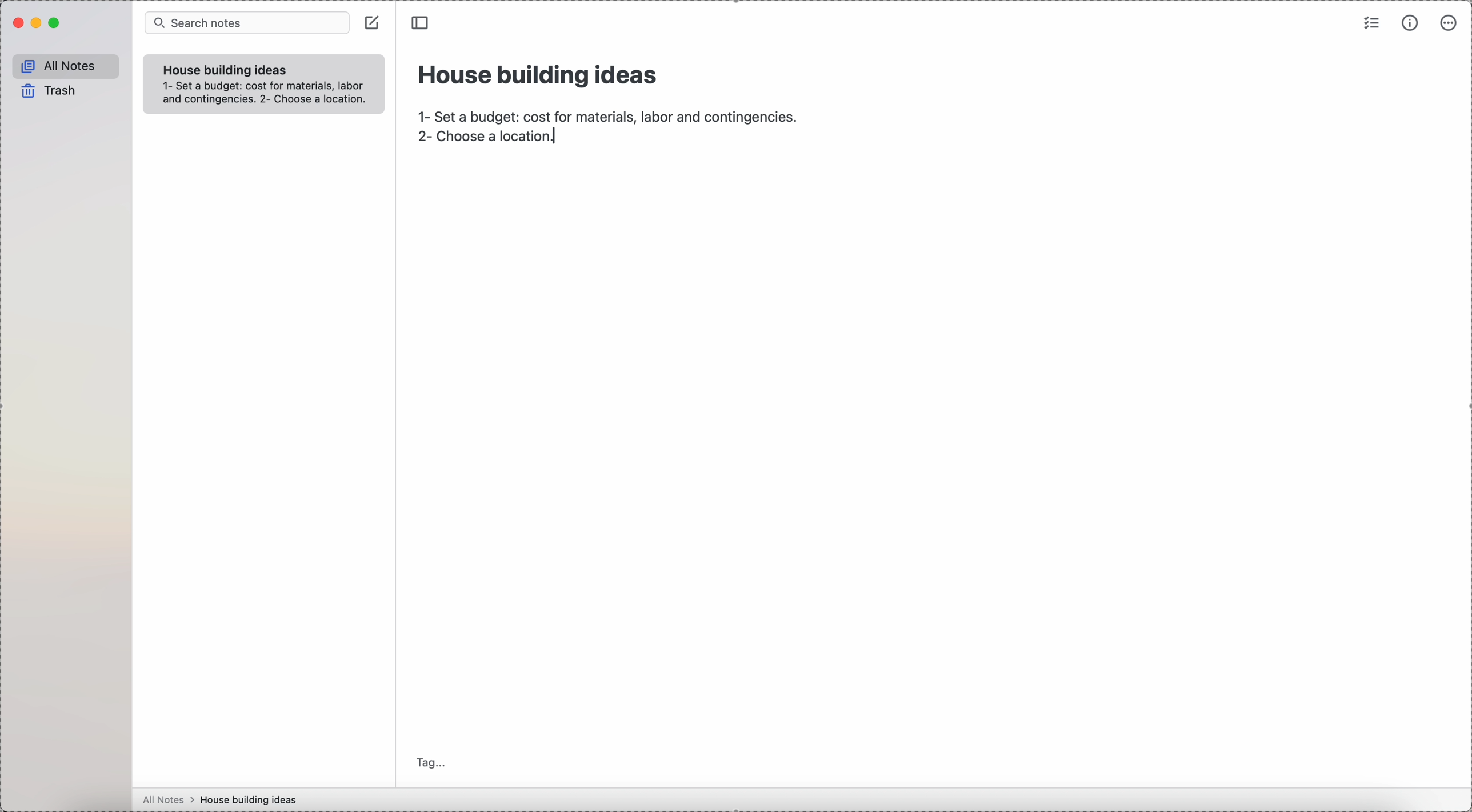 The height and width of the screenshot is (812, 1472). I want to click on check list, so click(1370, 25).